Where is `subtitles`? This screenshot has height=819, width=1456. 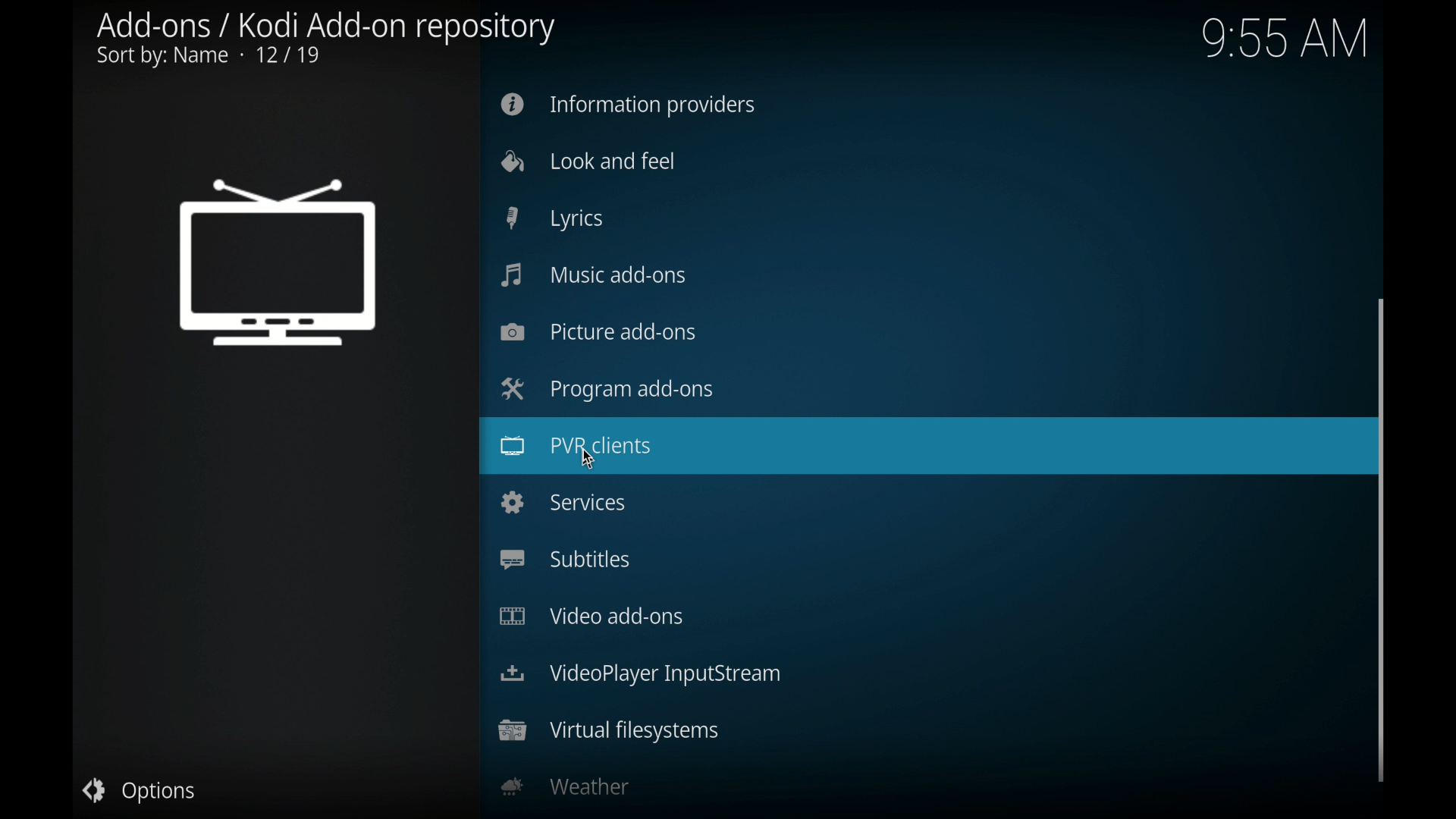
subtitles is located at coordinates (564, 560).